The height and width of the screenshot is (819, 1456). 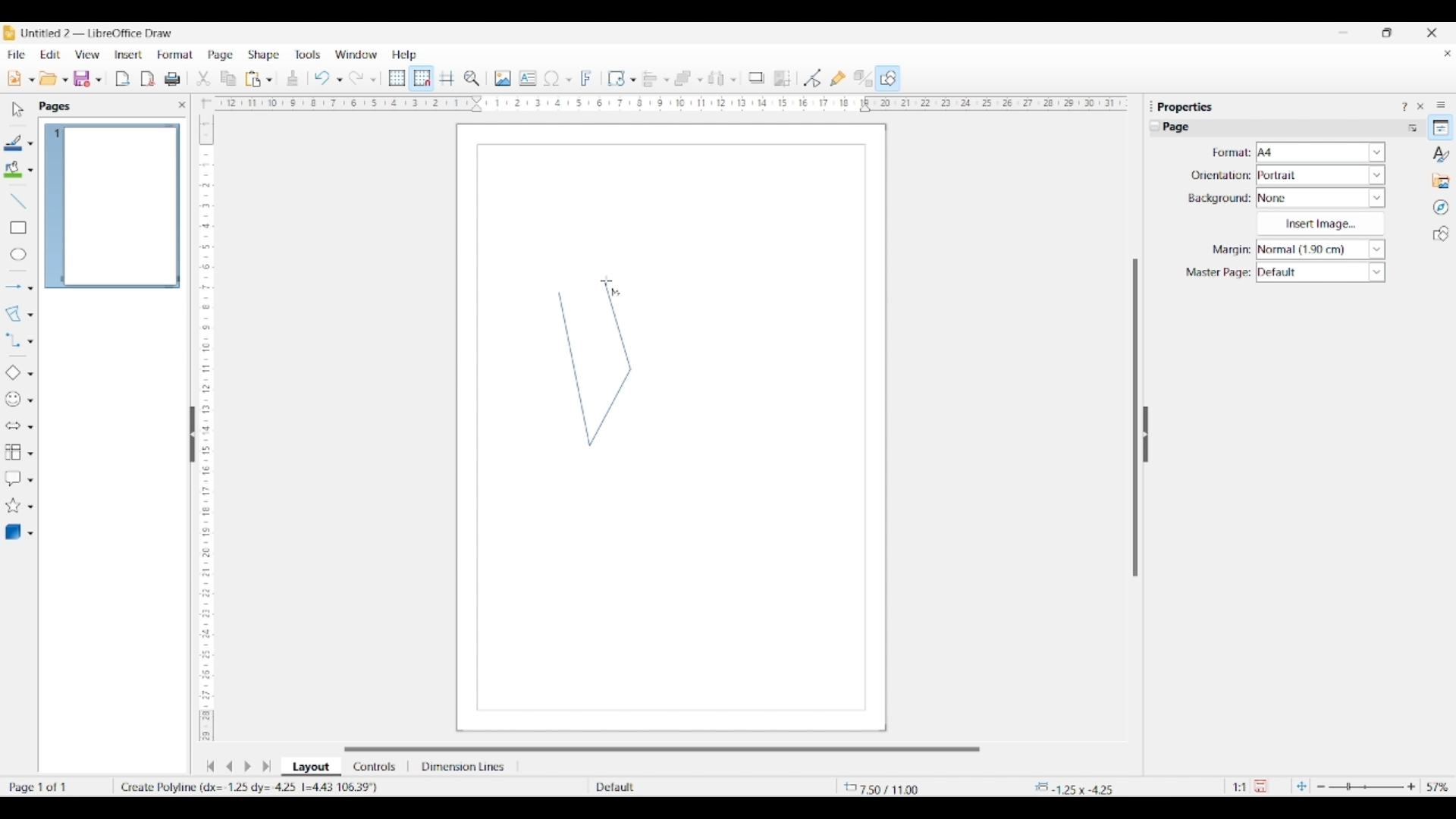 I want to click on Close current document , so click(x=1447, y=54).